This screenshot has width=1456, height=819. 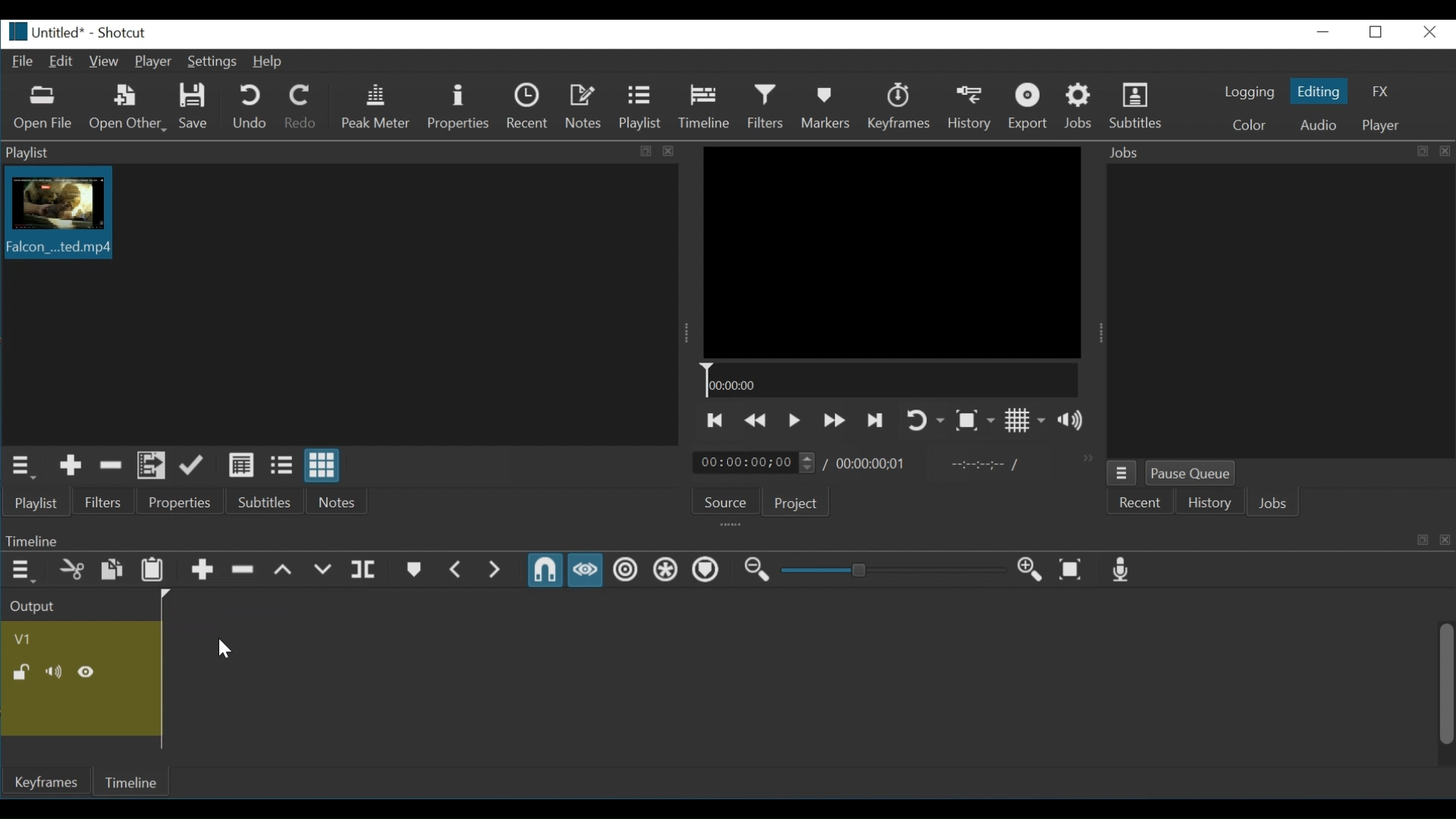 What do you see at coordinates (704, 105) in the screenshot?
I see `Timeline` at bounding box center [704, 105].